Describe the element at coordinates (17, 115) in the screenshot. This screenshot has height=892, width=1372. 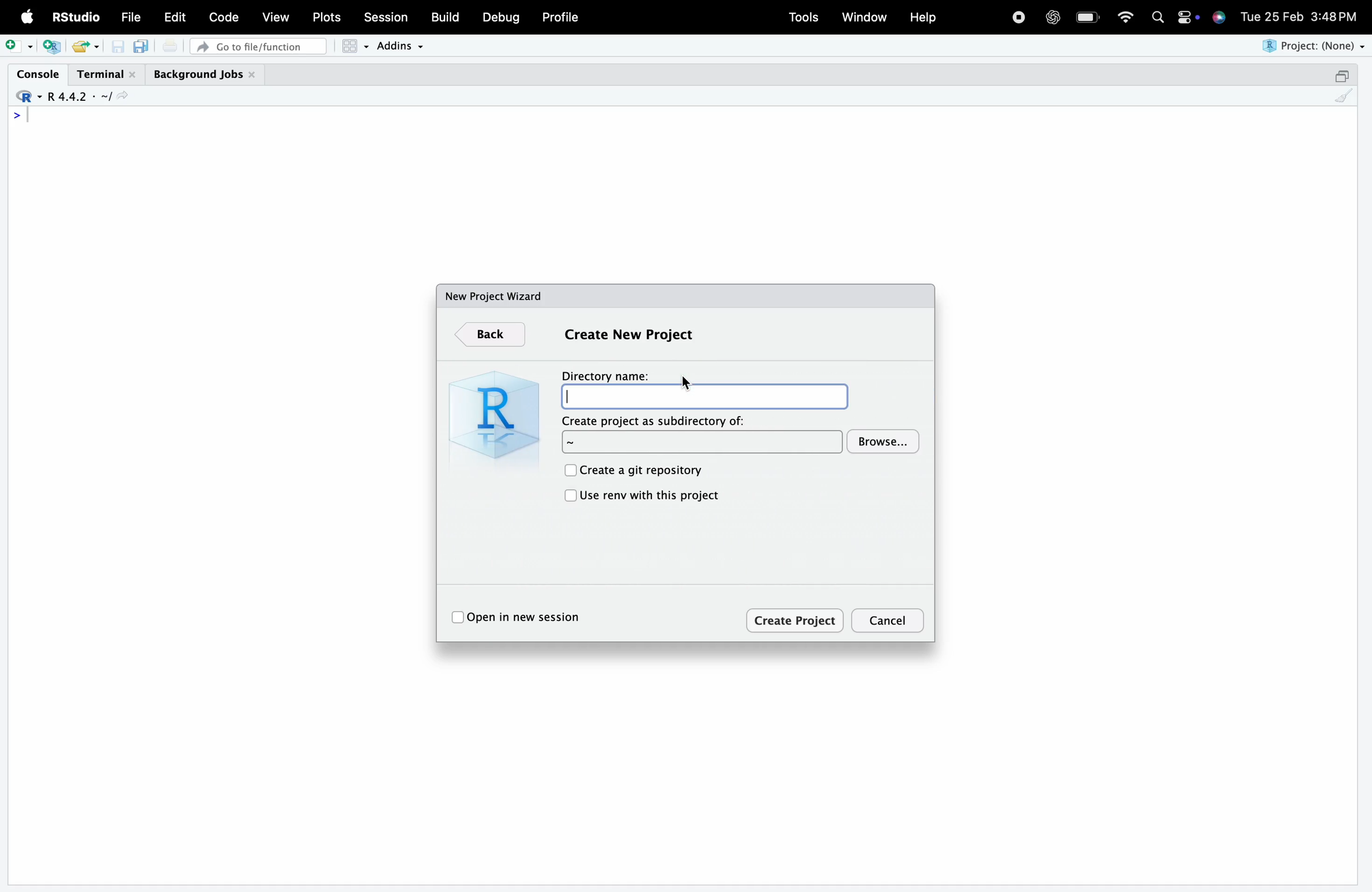
I see `>` at that location.